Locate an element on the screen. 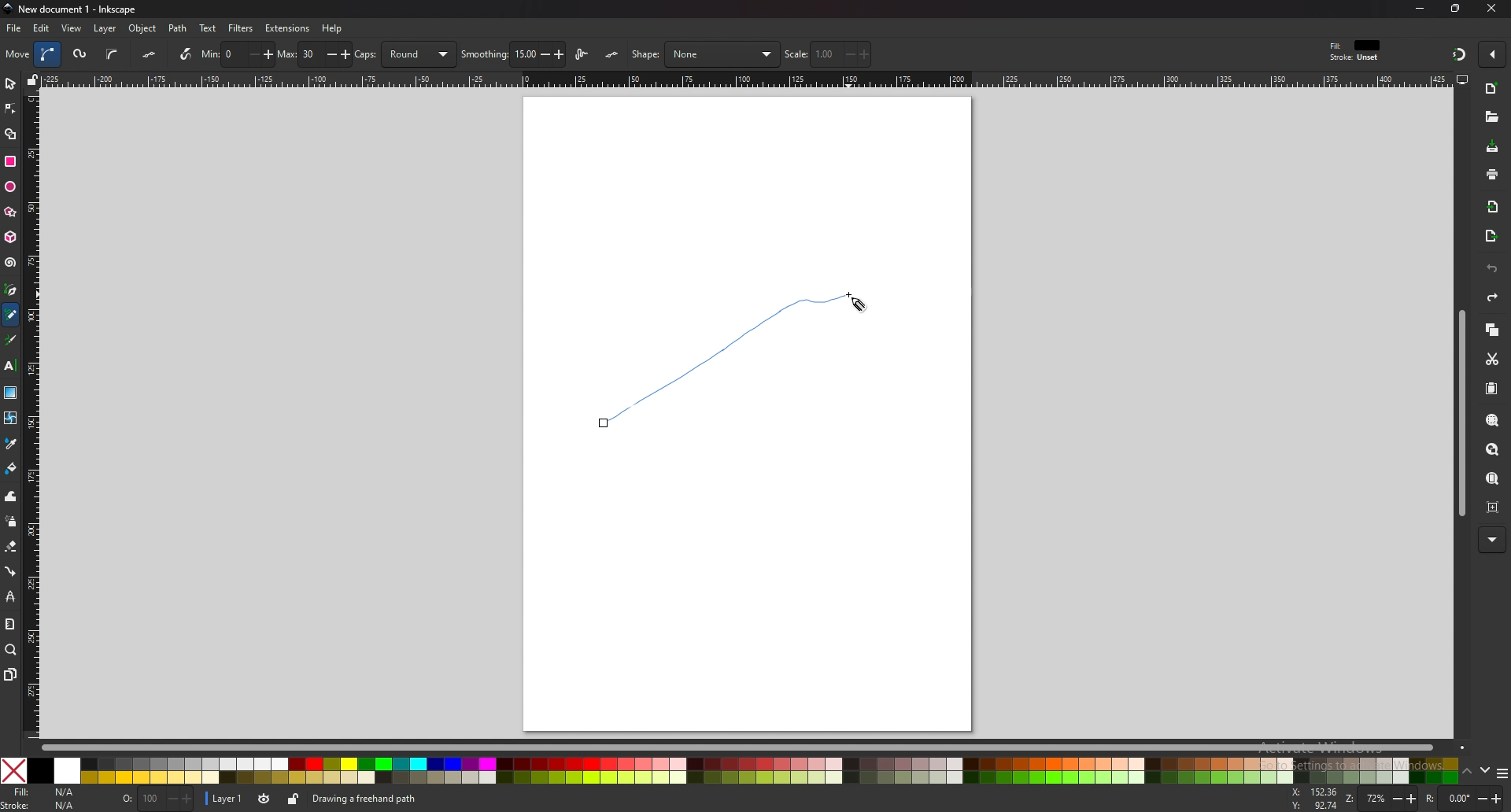  paste is located at coordinates (1491, 389).